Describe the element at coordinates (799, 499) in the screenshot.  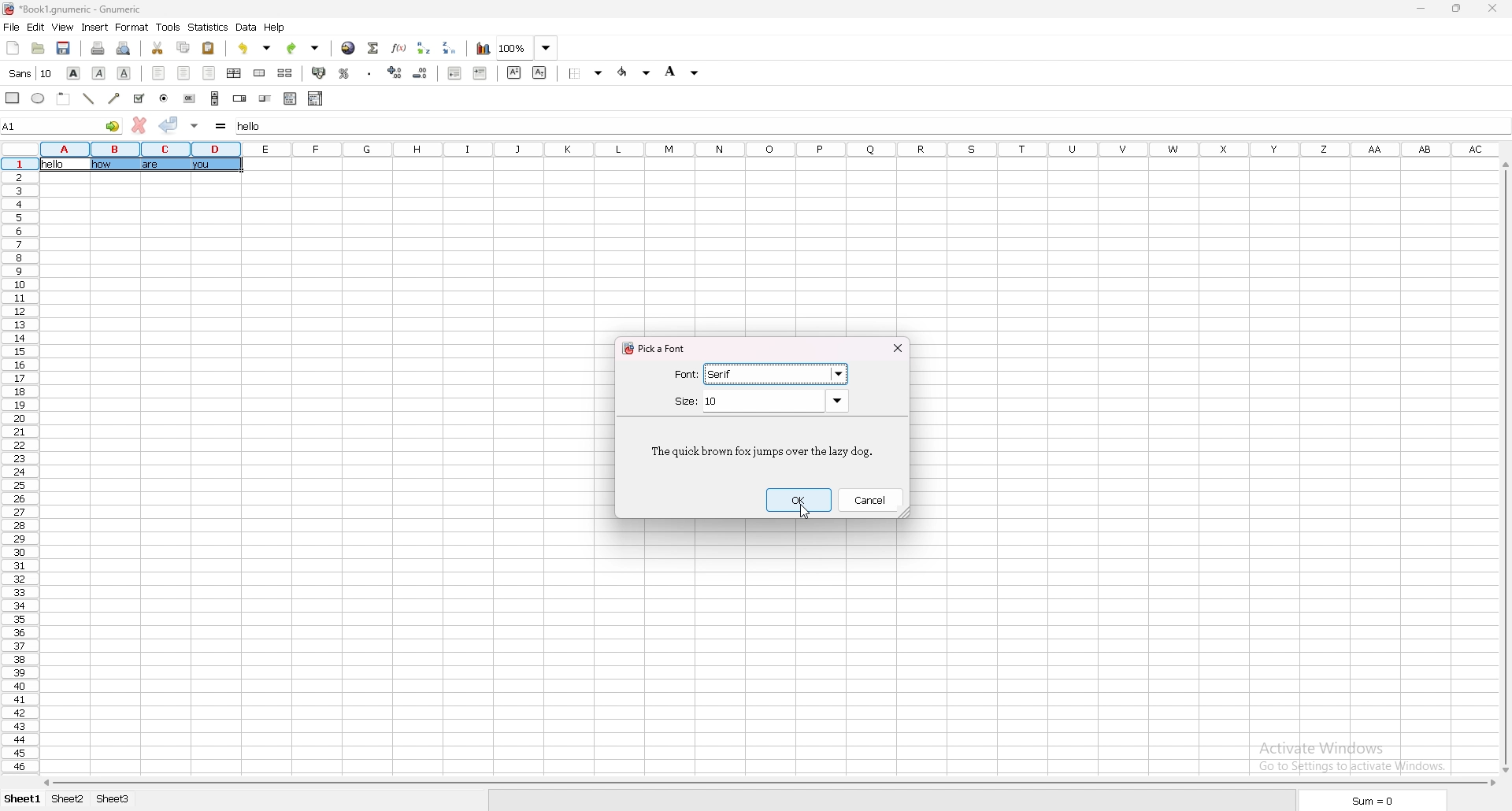
I see `ok` at that location.